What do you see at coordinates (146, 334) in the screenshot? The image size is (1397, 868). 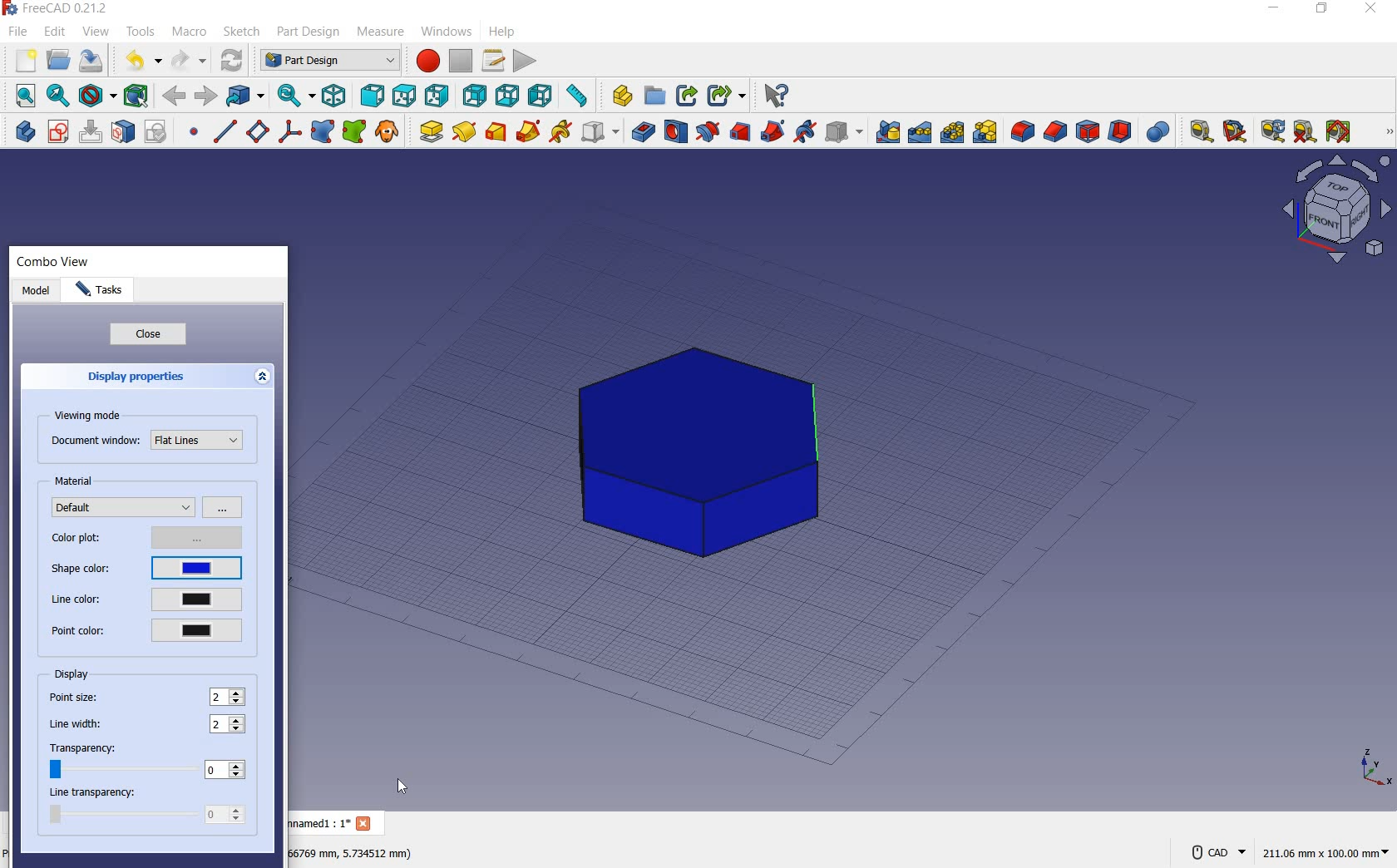 I see `close` at bounding box center [146, 334].